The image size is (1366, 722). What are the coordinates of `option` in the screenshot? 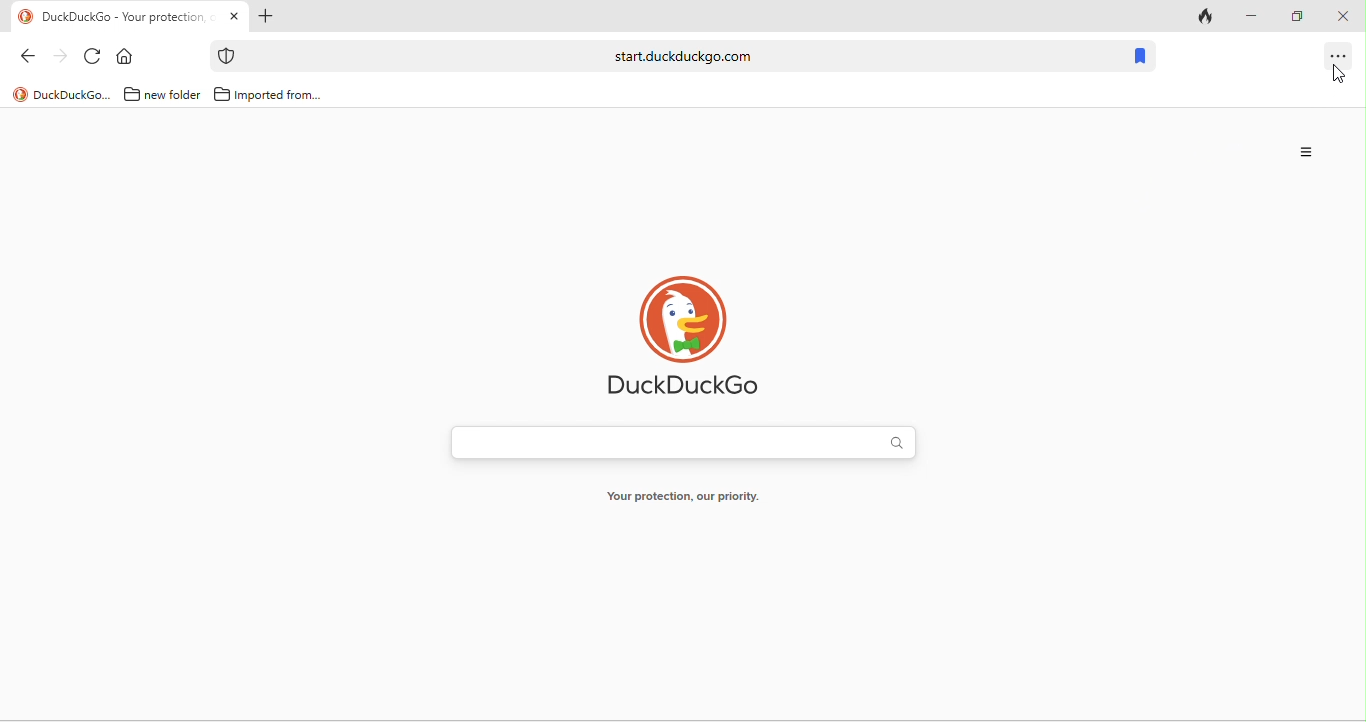 It's located at (1343, 58).